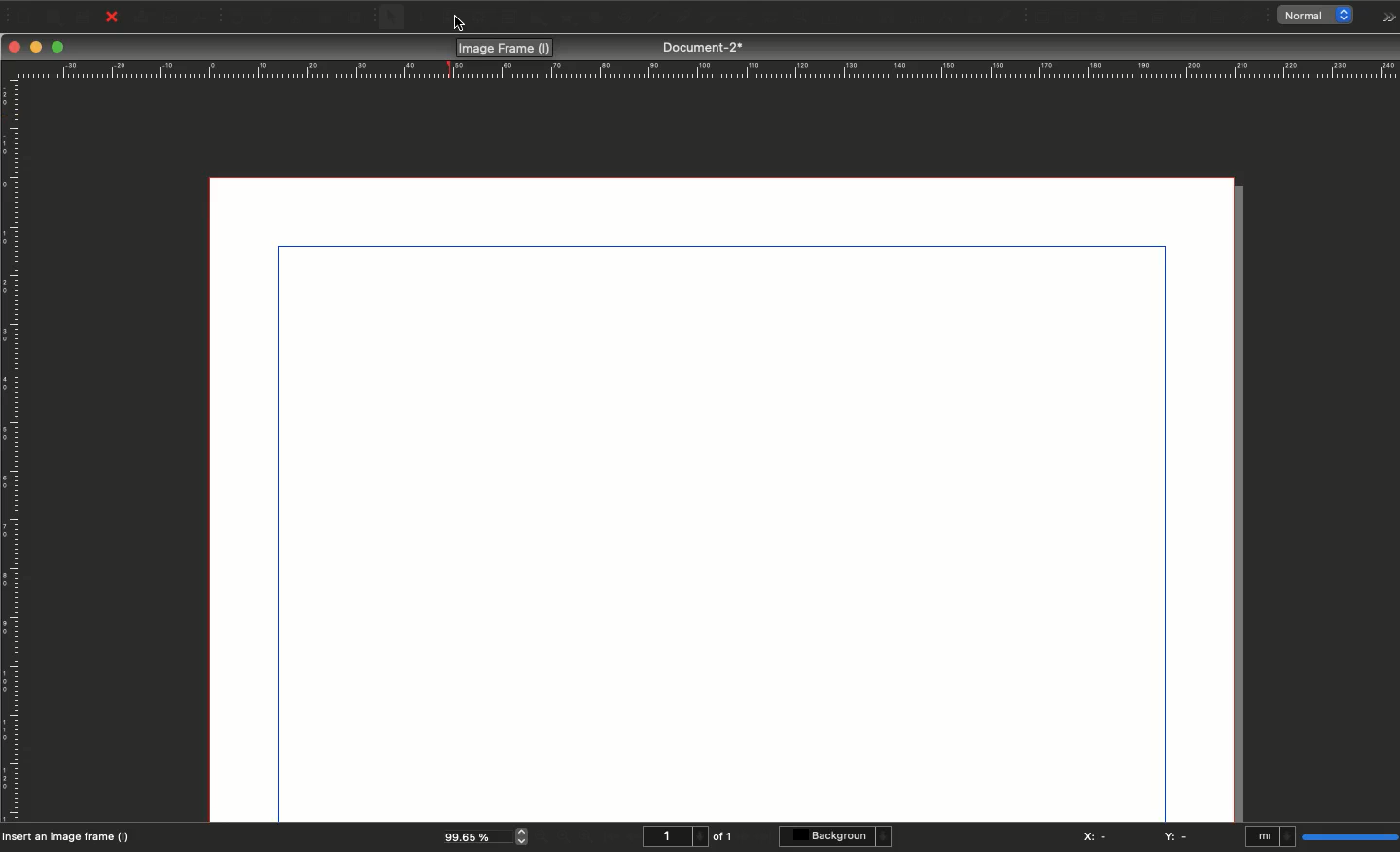 The image size is (1400, 852). I want to click on Link annotation, so click(1250, 18).